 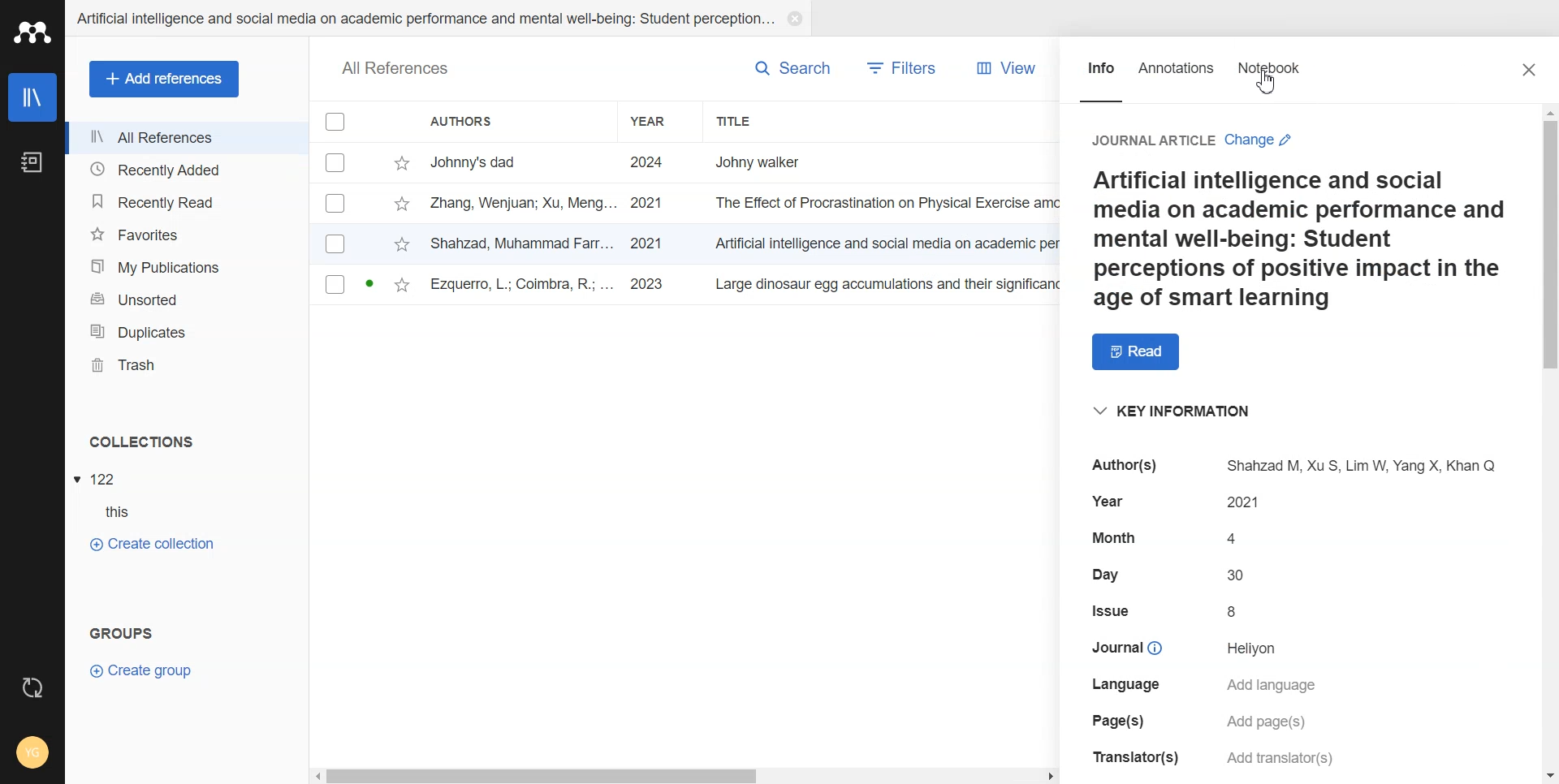 What do you see at coordinates (792, 67) in the screenshot?
I see `Search` at bounding box center [792, 67].